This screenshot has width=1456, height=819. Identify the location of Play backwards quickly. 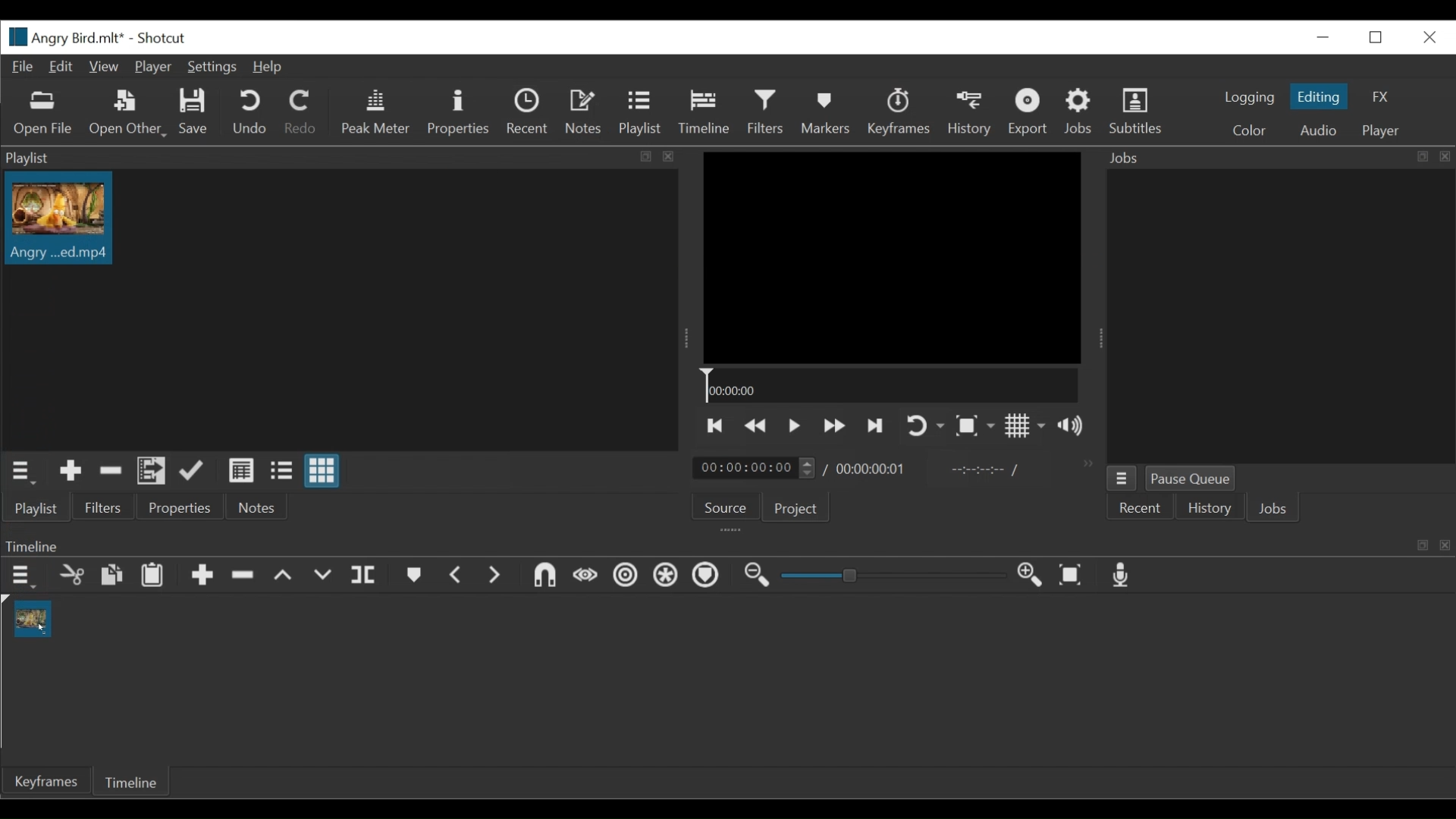
(757, 426).